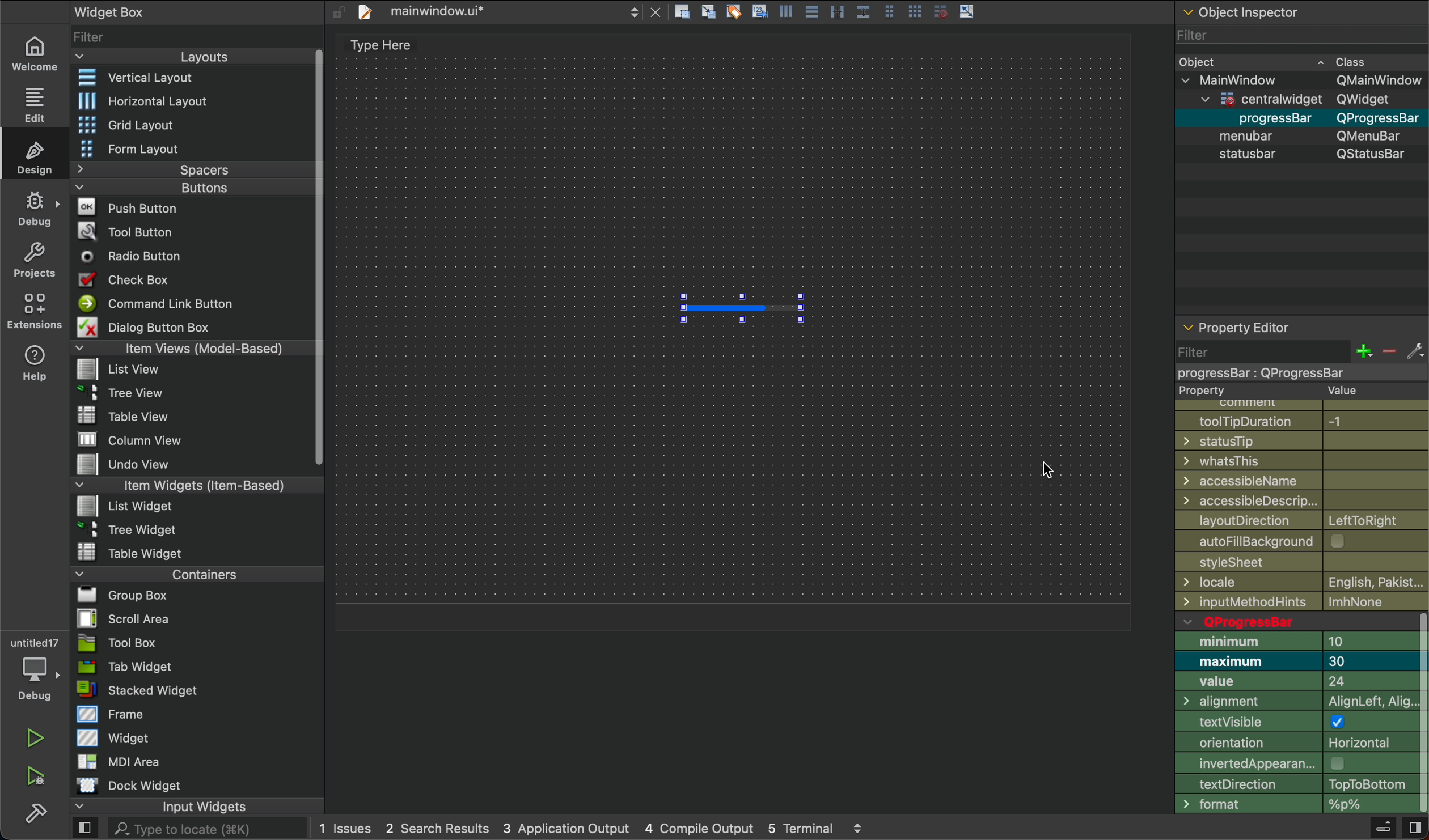 Image resolution: width=1429 pixels, height=840 pixels. What do you see at coordinates (1307, 542) in the screenshot?
I see `autofill` at bounding box center [1307, 542].